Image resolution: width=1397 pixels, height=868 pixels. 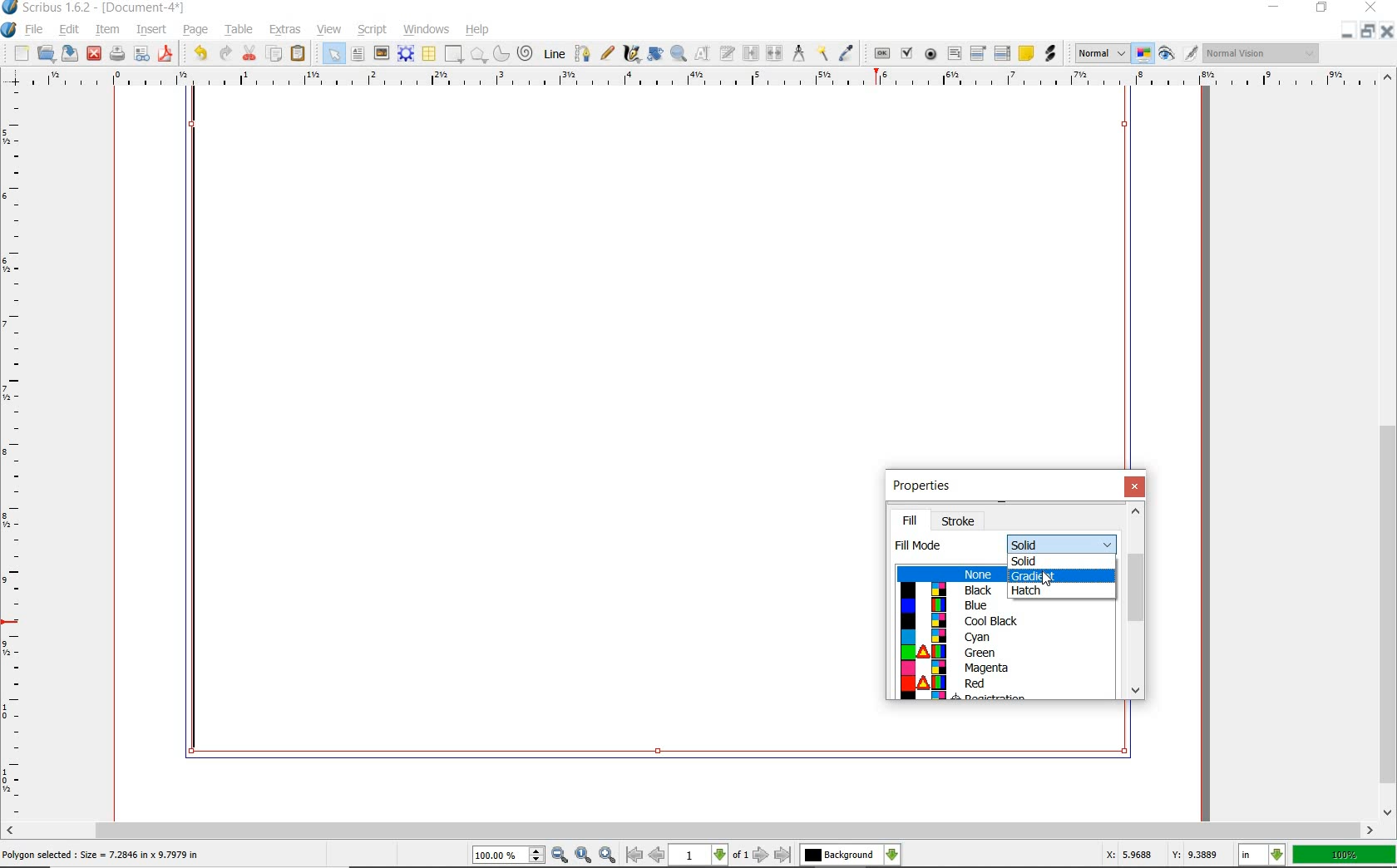 I want to click on close, so click(x=1135, y=487).